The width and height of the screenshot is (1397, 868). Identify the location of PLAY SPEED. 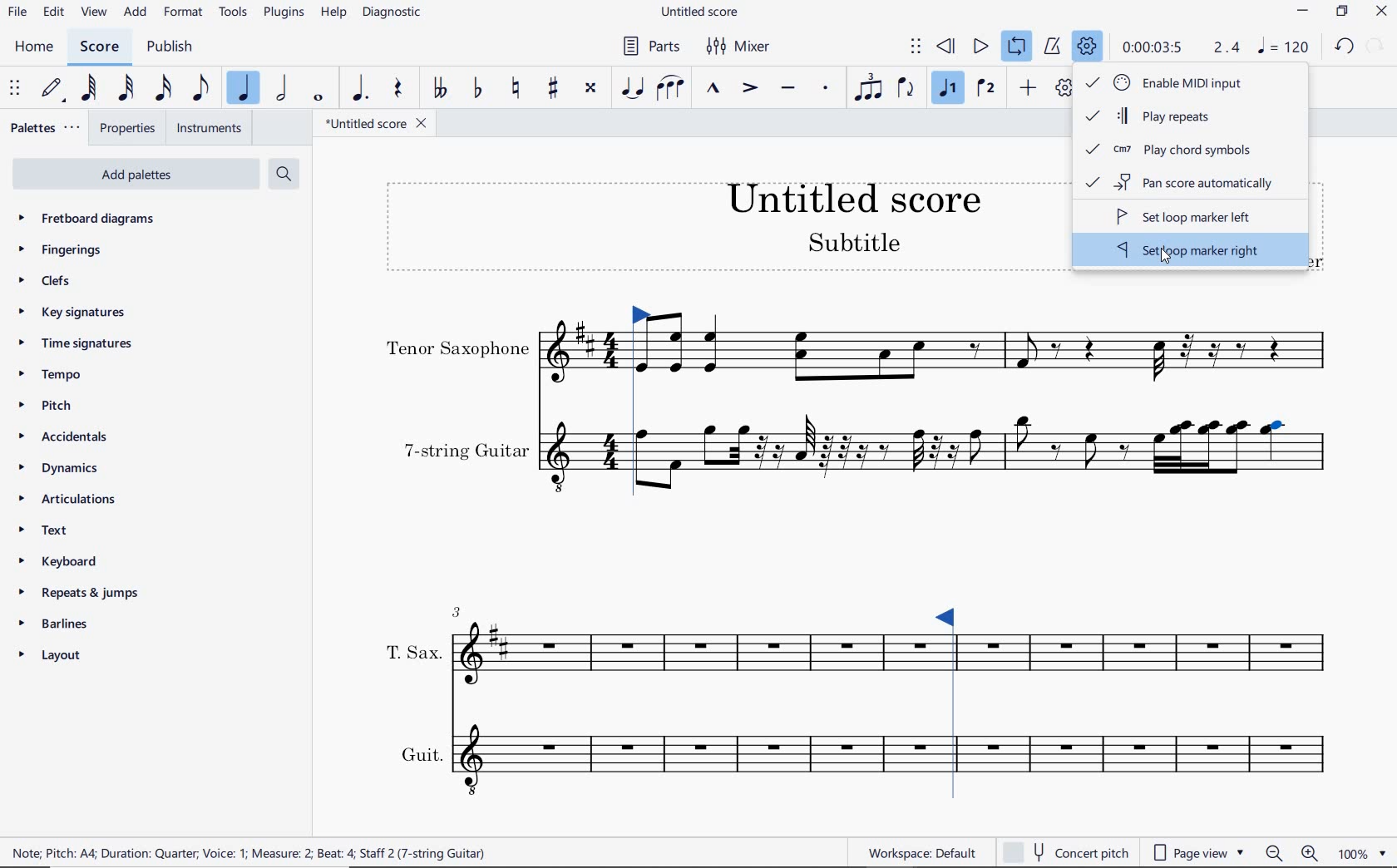
(1183, 47).